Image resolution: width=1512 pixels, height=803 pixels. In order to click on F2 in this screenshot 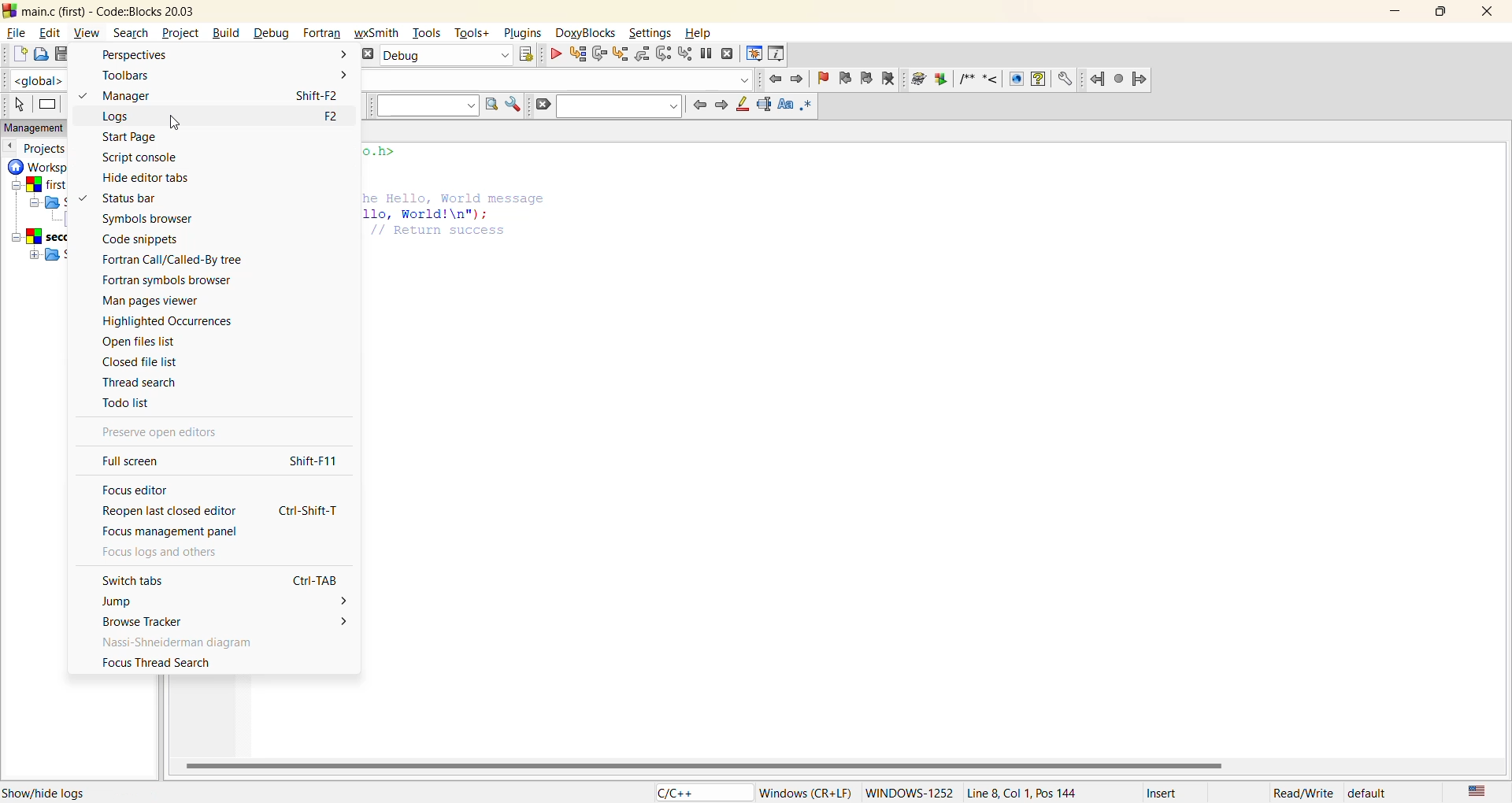, I will do `click(332, 117)`.